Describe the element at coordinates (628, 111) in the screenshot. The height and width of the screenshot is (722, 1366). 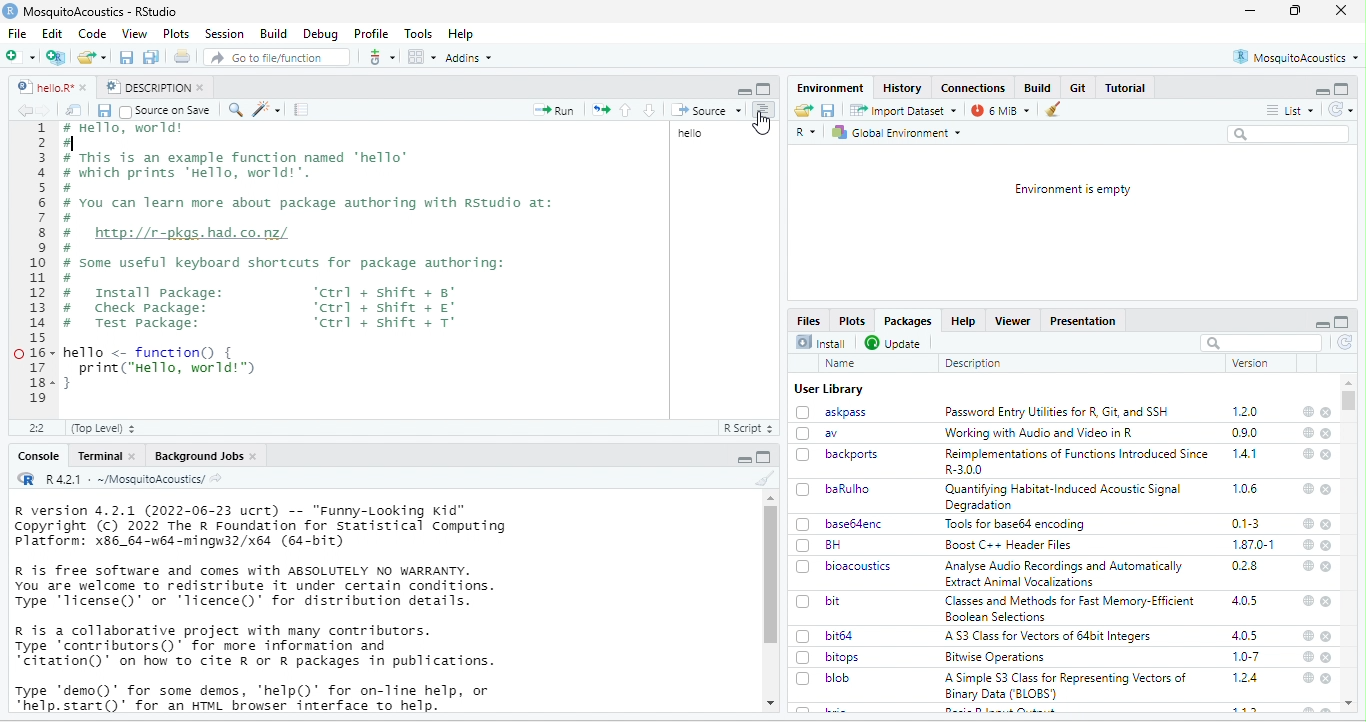
I see `Go to previous section` at that location.